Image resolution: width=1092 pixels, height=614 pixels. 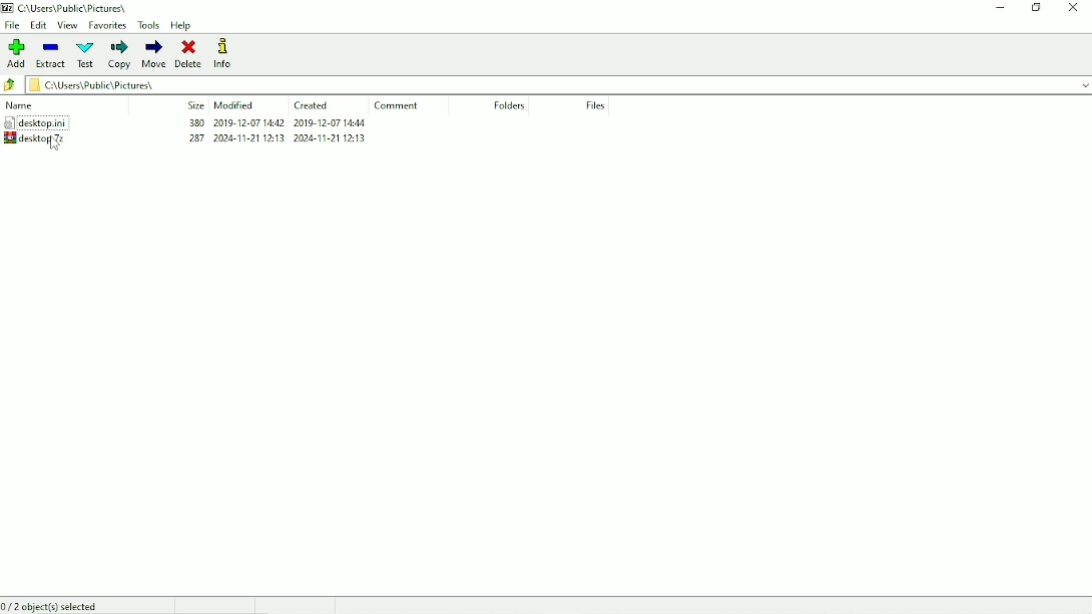 What do you see at coordinates (53, 139) in the screenshot?
I see `desktop.7z` at bounding box center [53, 139].